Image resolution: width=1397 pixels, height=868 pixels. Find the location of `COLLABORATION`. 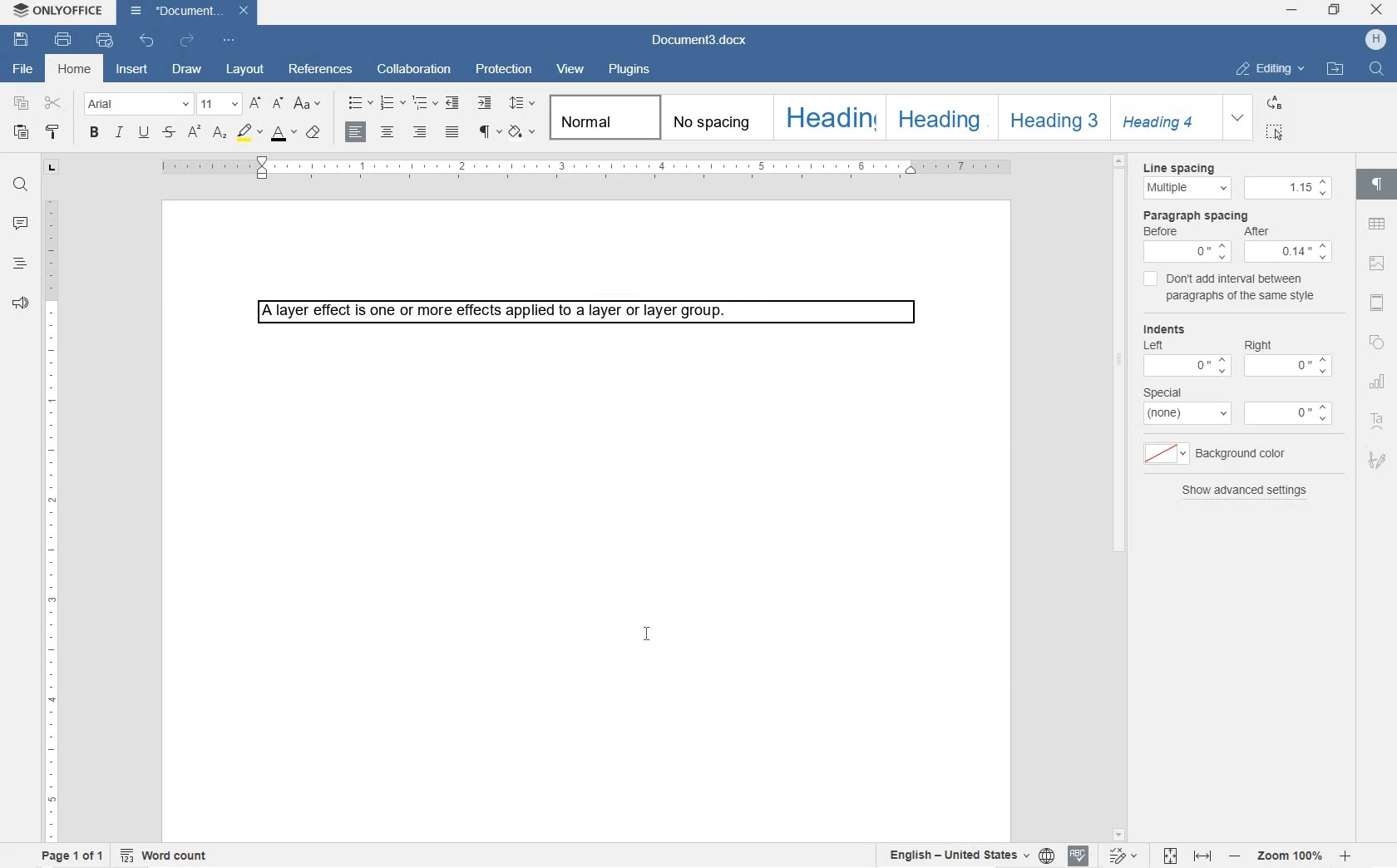

COLLABORATION is located at coordinates (416, 71).